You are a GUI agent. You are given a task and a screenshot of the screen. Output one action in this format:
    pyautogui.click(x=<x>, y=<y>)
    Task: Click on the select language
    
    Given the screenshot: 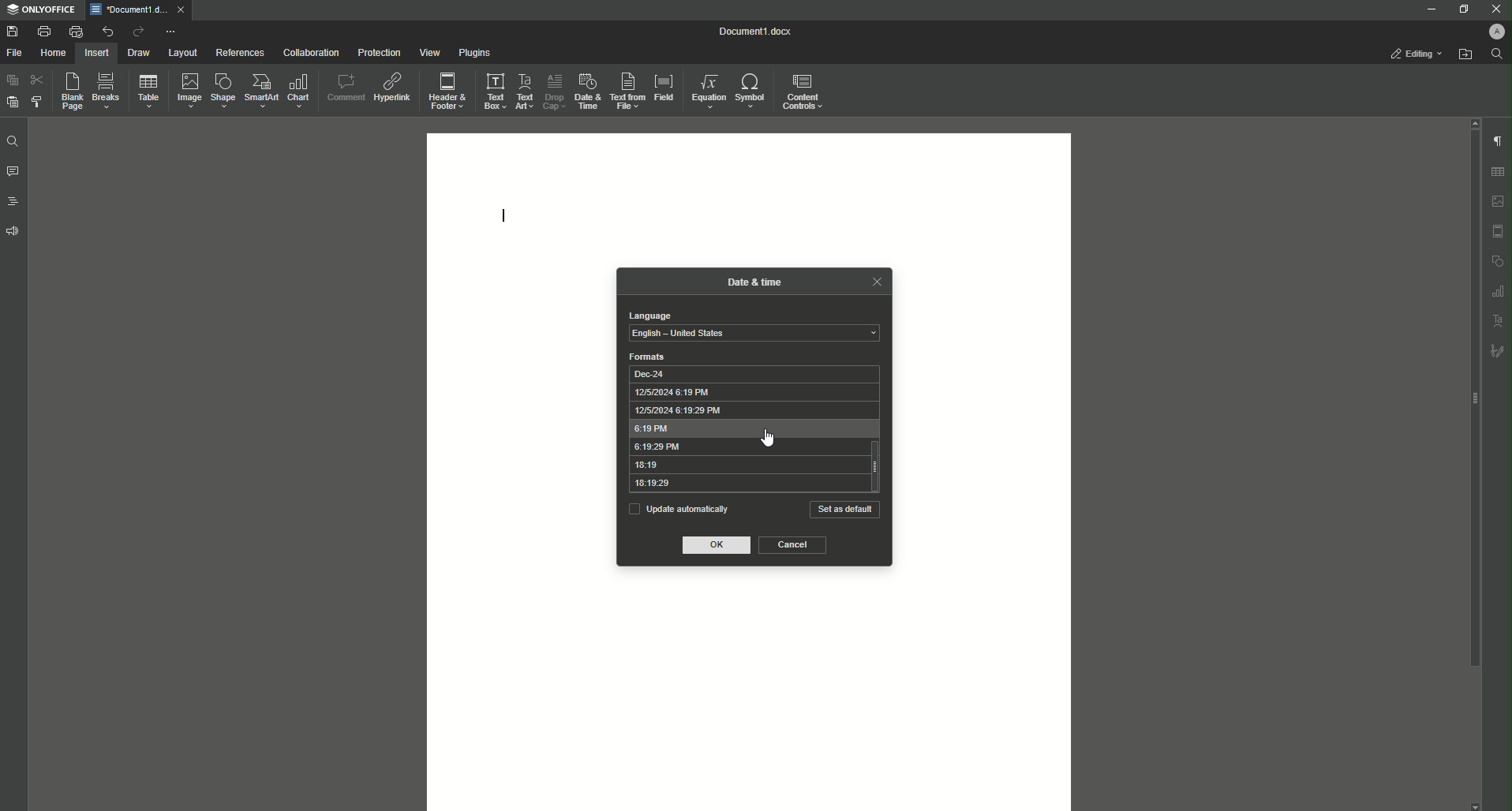 What is the action you would take?
    pyautogui.click(x=754, y=334)
    